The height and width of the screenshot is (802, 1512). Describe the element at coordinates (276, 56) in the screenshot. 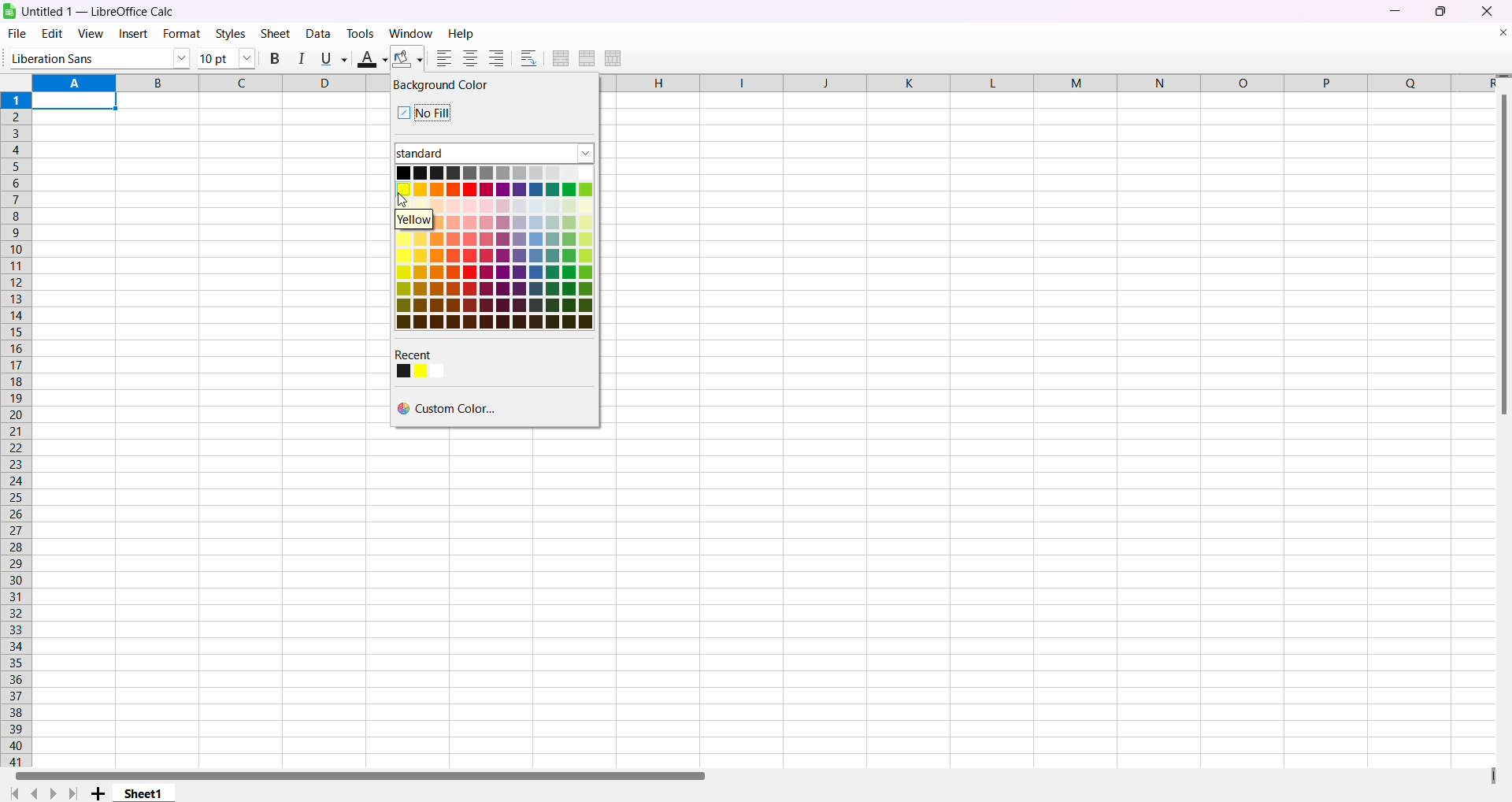

I see `bold` at that location.